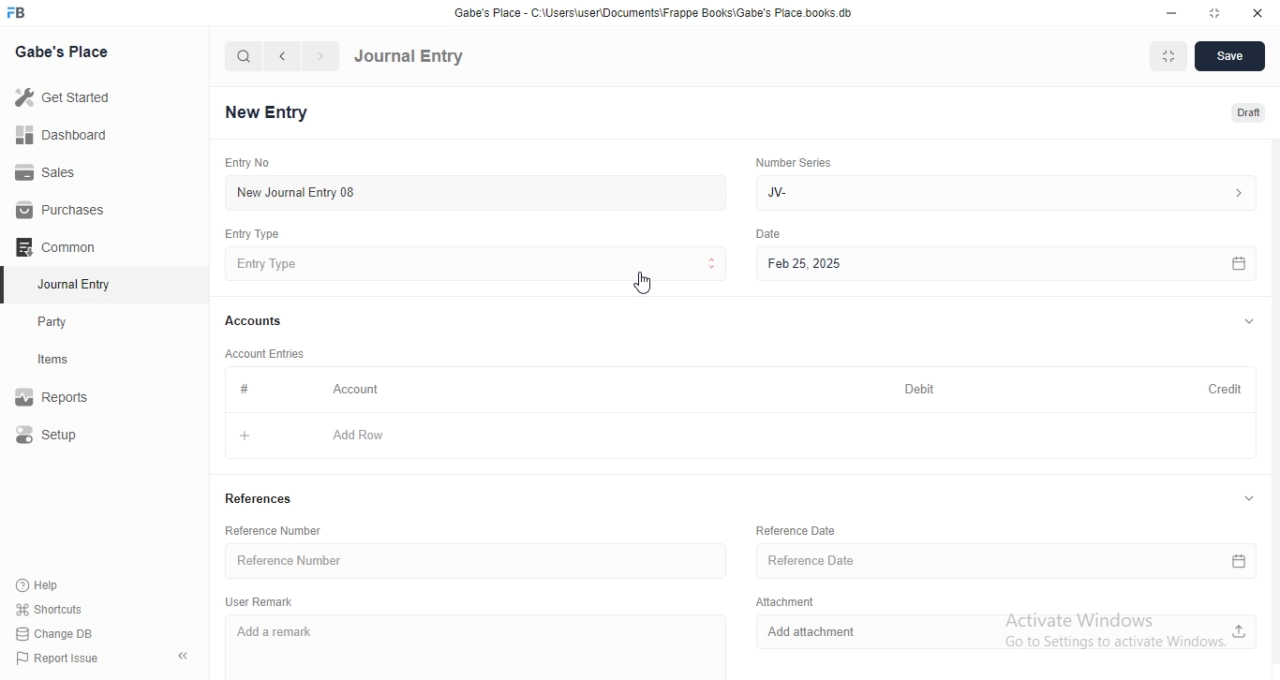  Describe the element at coordinates (1009, 633) in the screenshot. I see `Add attachment` at that location.